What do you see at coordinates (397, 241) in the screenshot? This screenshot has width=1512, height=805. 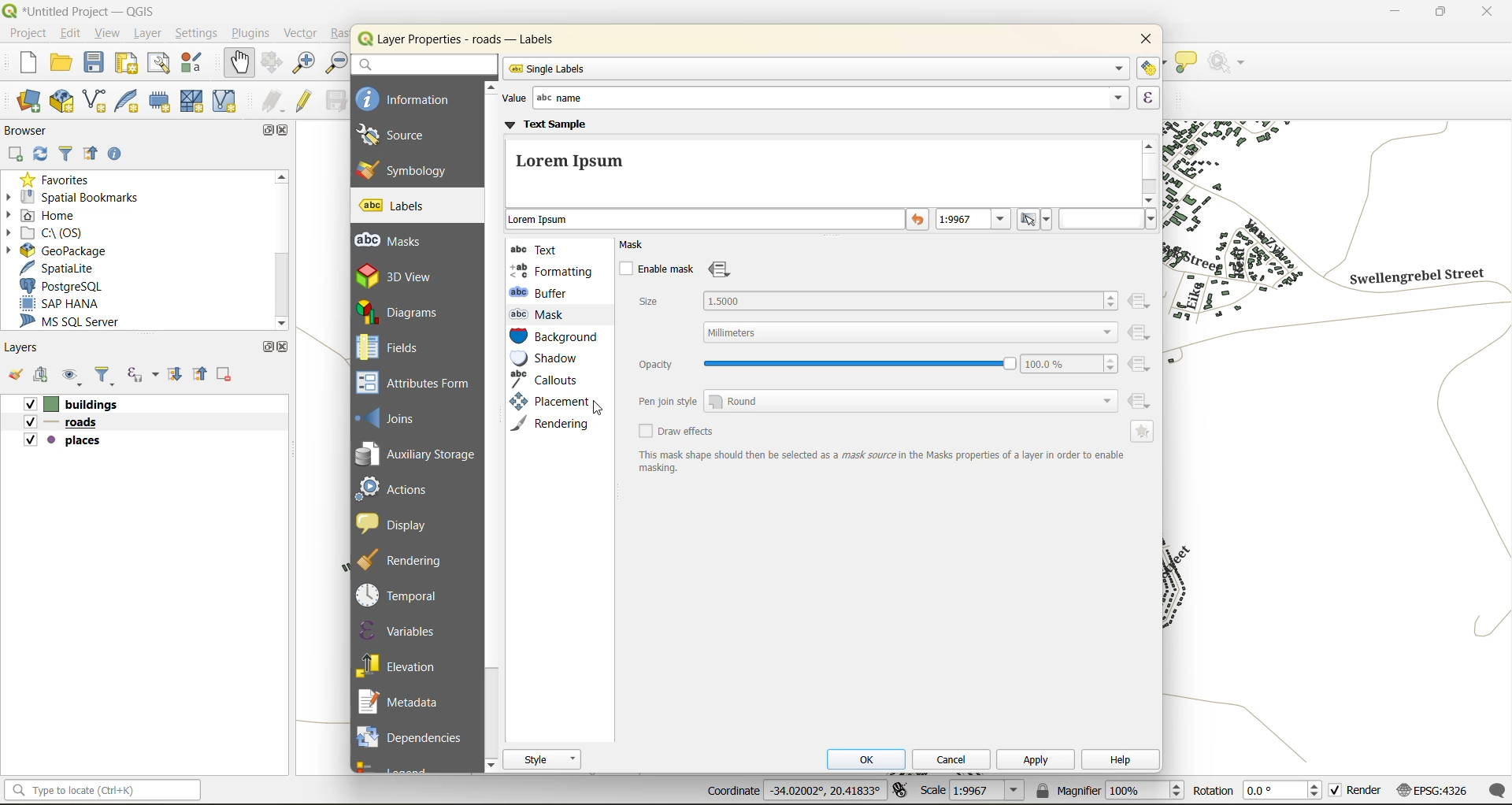 I see `masks` at bounding box center [397, 241].